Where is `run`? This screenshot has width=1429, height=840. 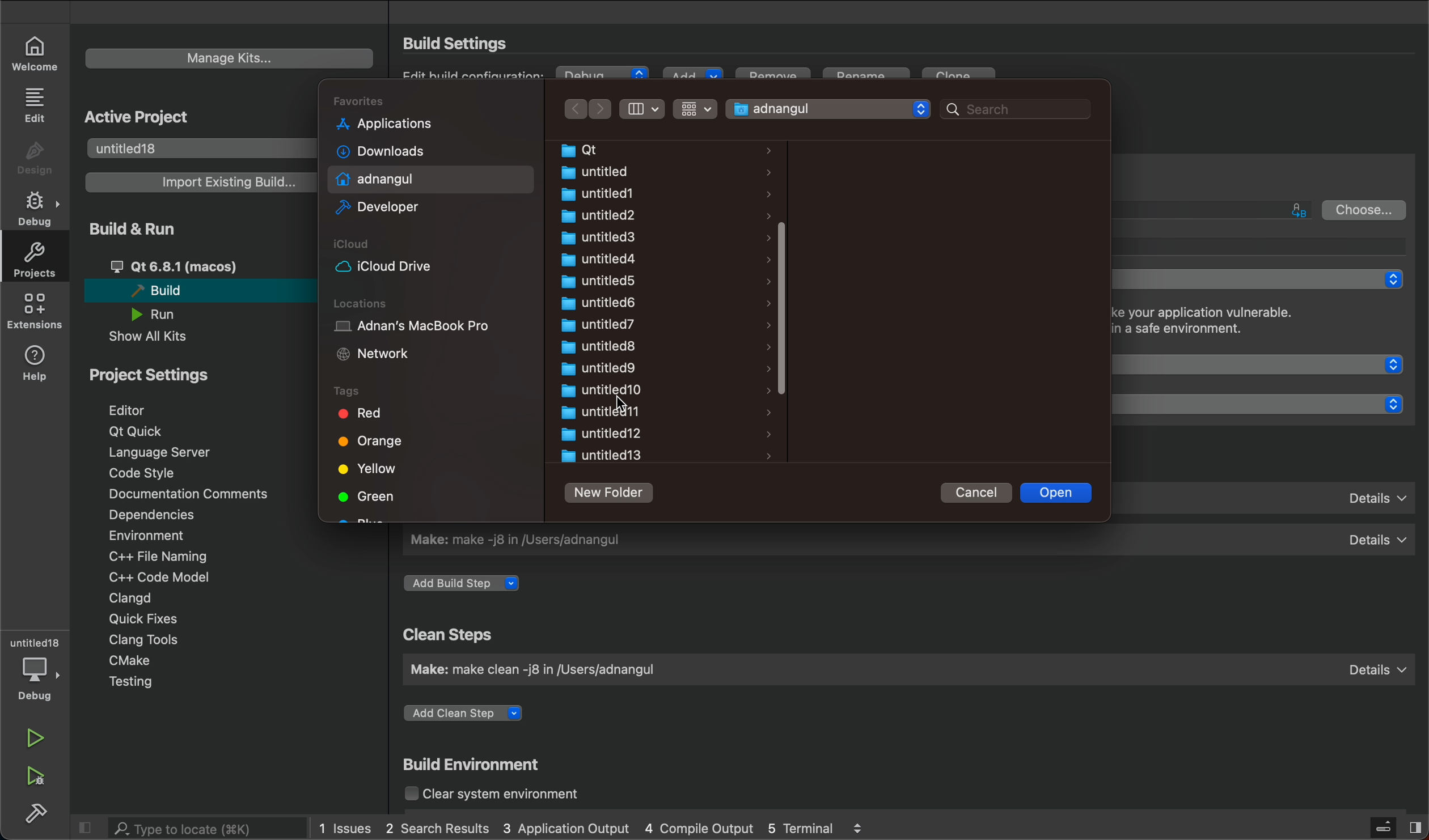 run is located at coordinates (164, 315).